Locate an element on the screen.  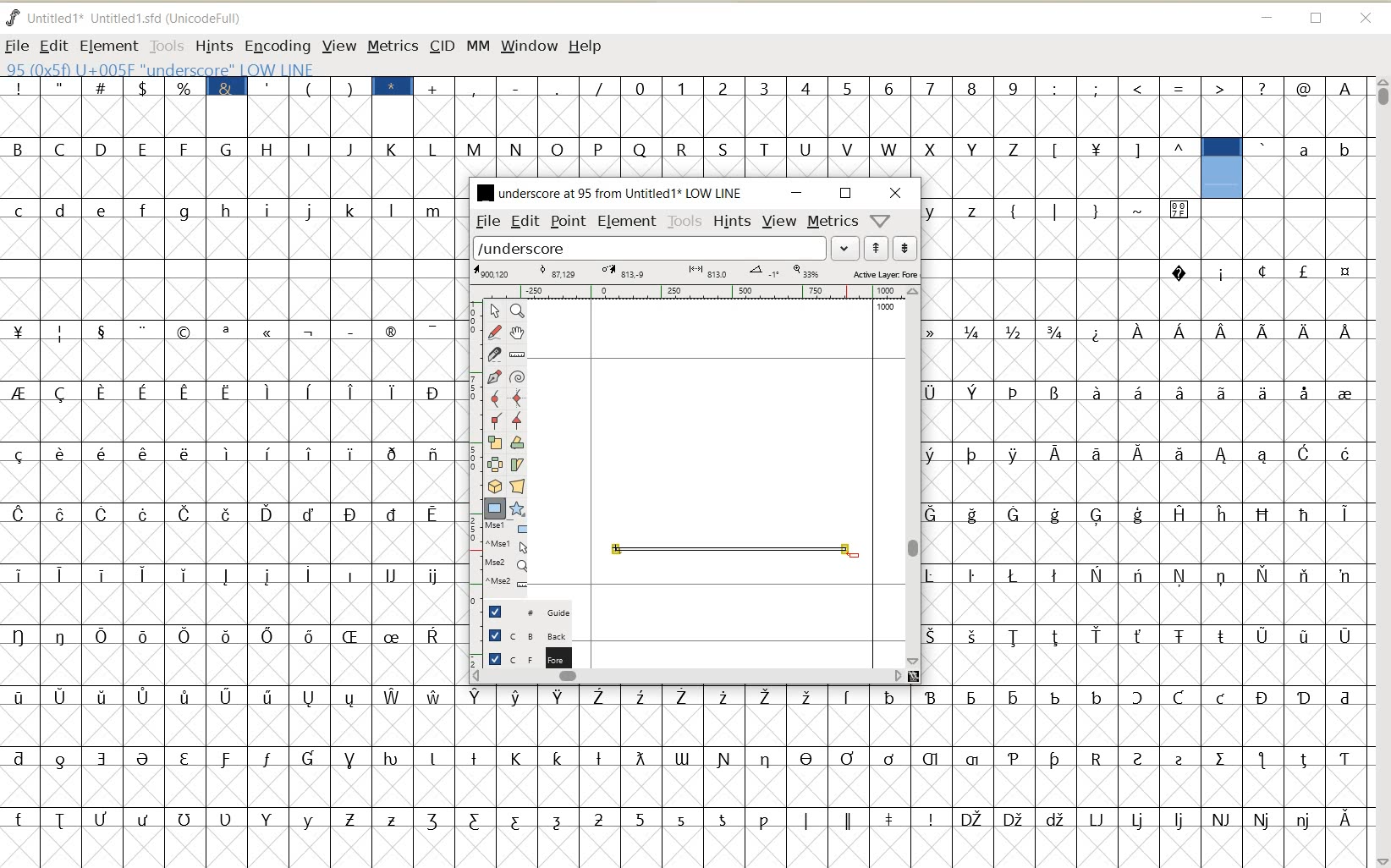
FILE is located at coordinates (17, 46).